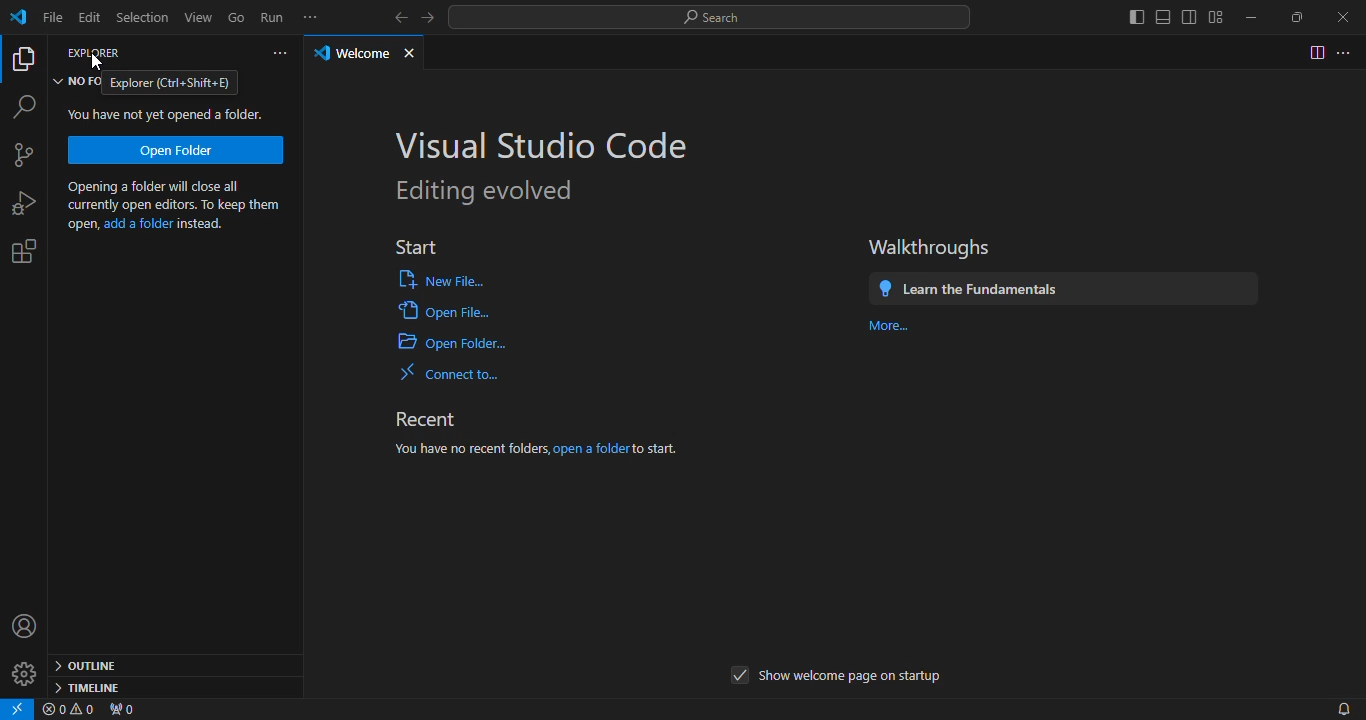 Image resolution: width=1366 pixels, height=720 pixels. I want to click on more options, so click(278, 48).